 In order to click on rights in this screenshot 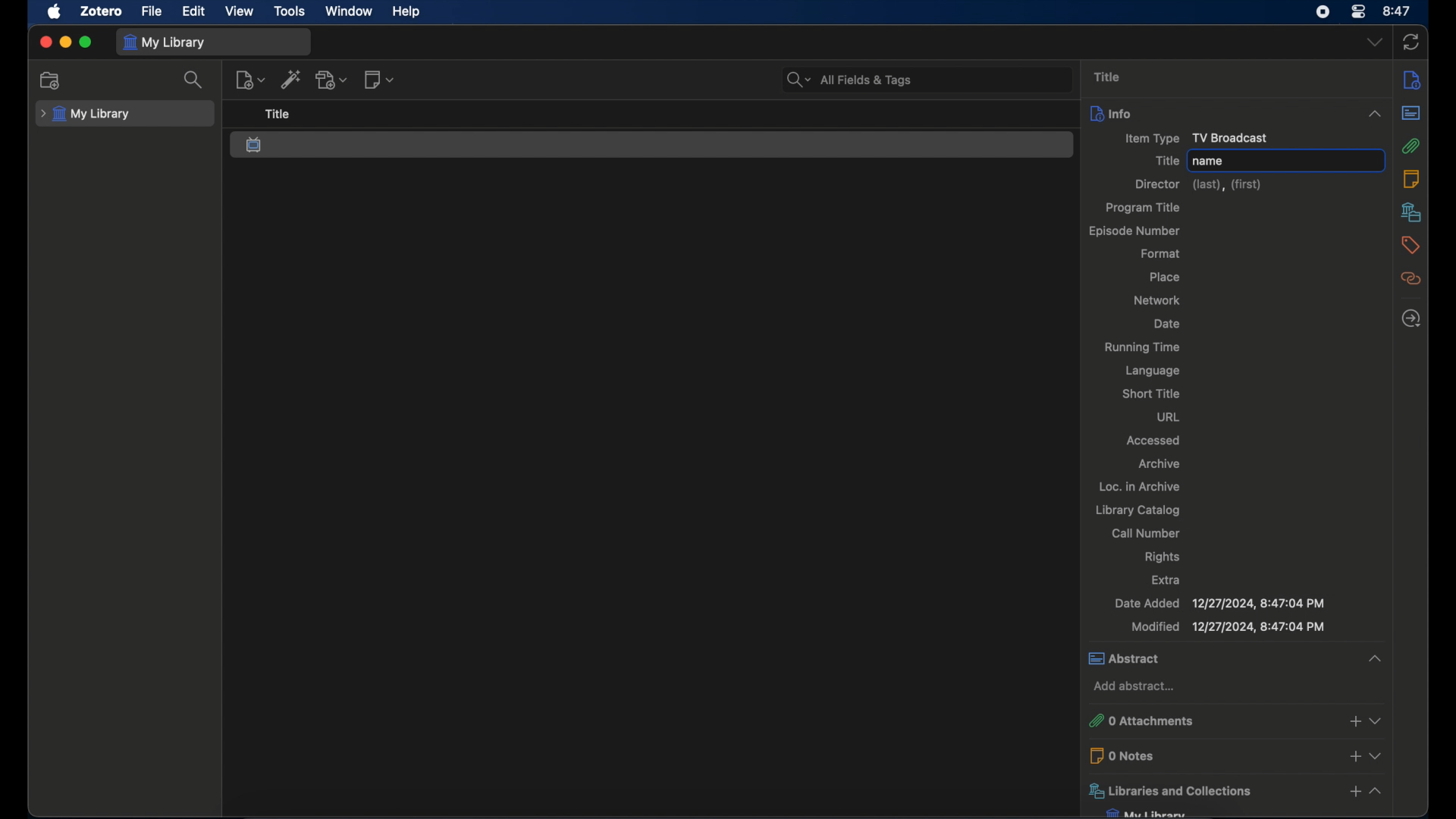, I will do `click(1160, 557)`.